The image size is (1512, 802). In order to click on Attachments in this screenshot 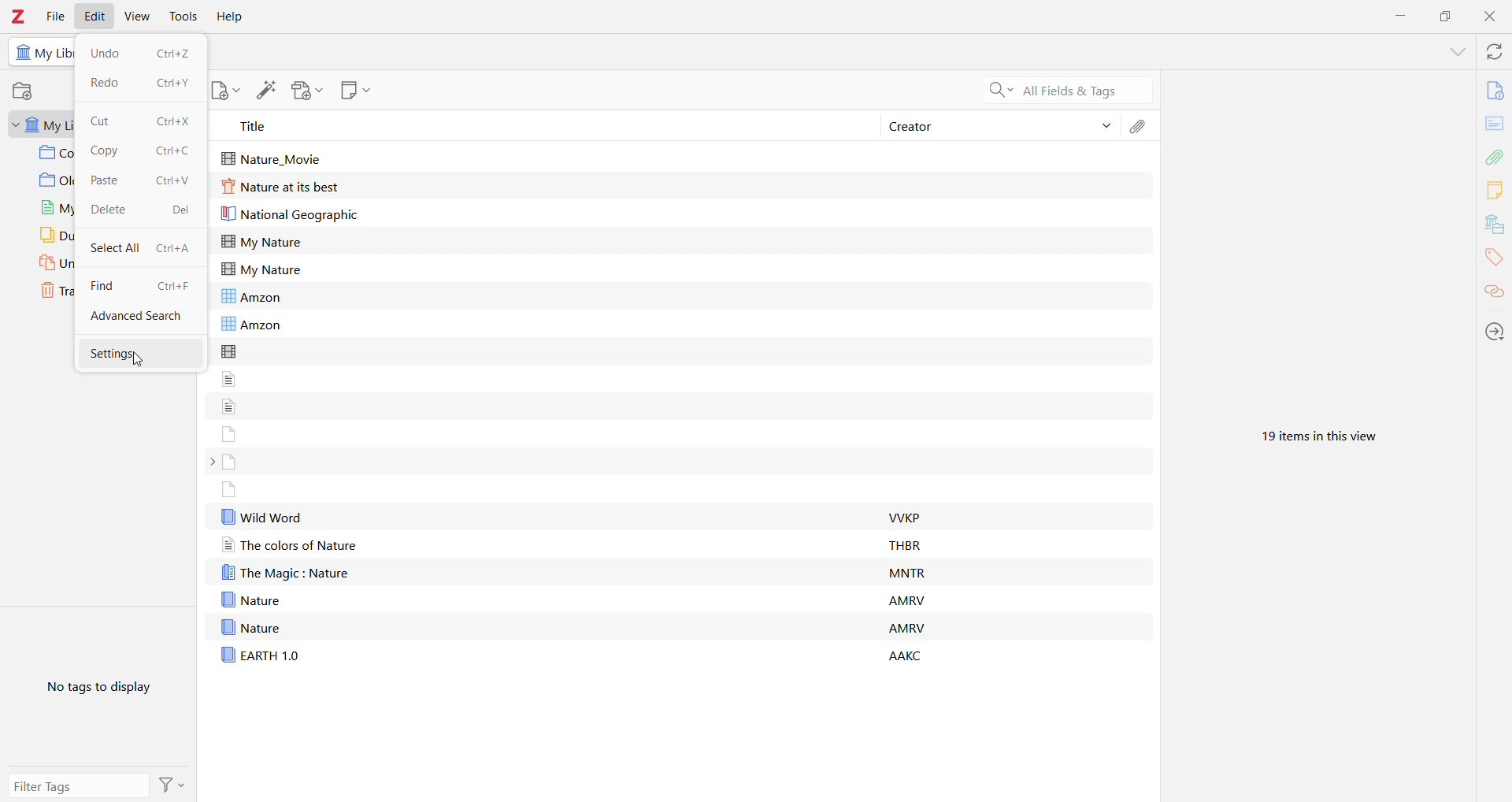, I will do `click(1496, 156)`.